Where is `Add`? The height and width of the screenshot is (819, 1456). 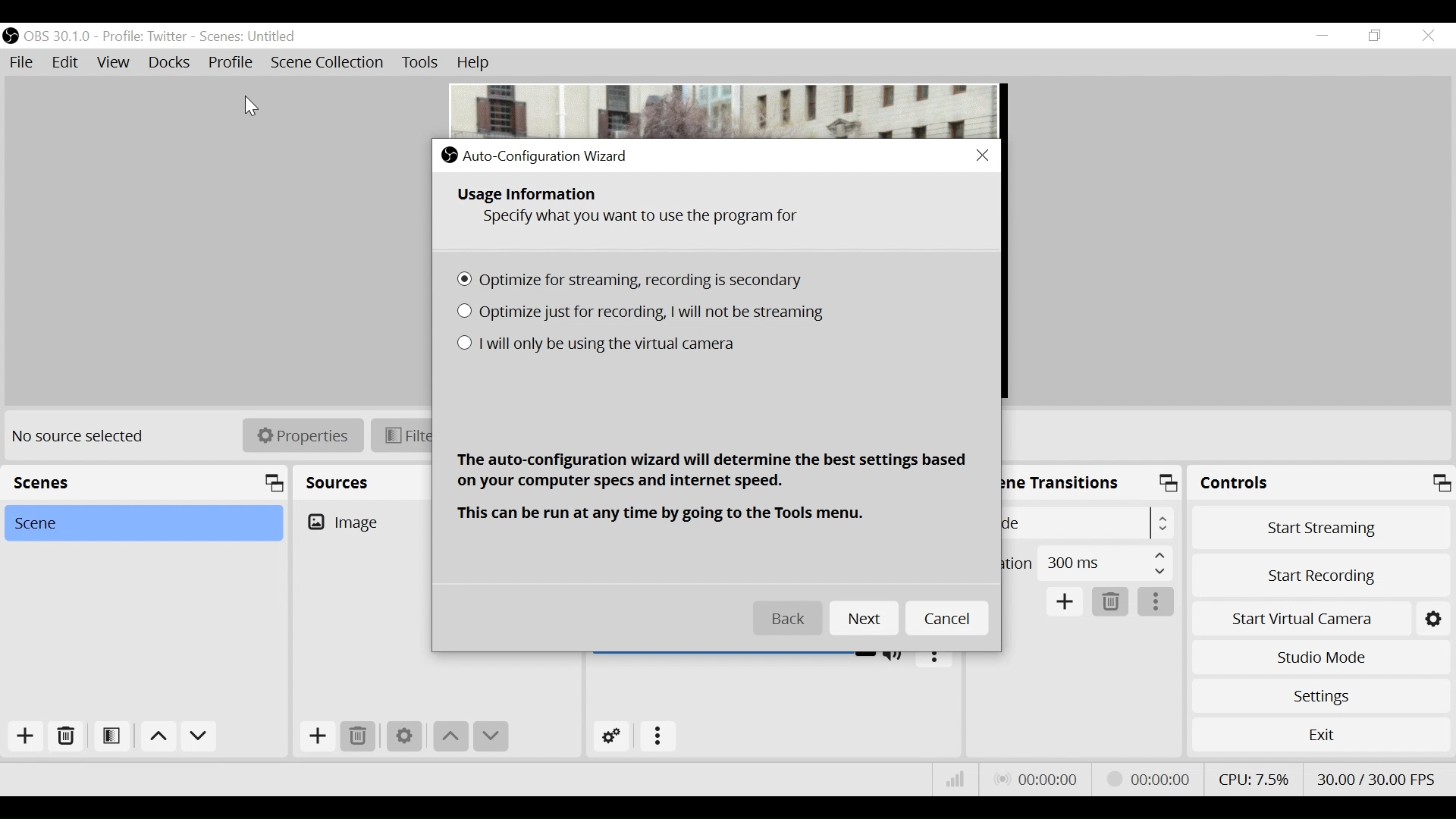 Add is located at coordinates (1066, 603).